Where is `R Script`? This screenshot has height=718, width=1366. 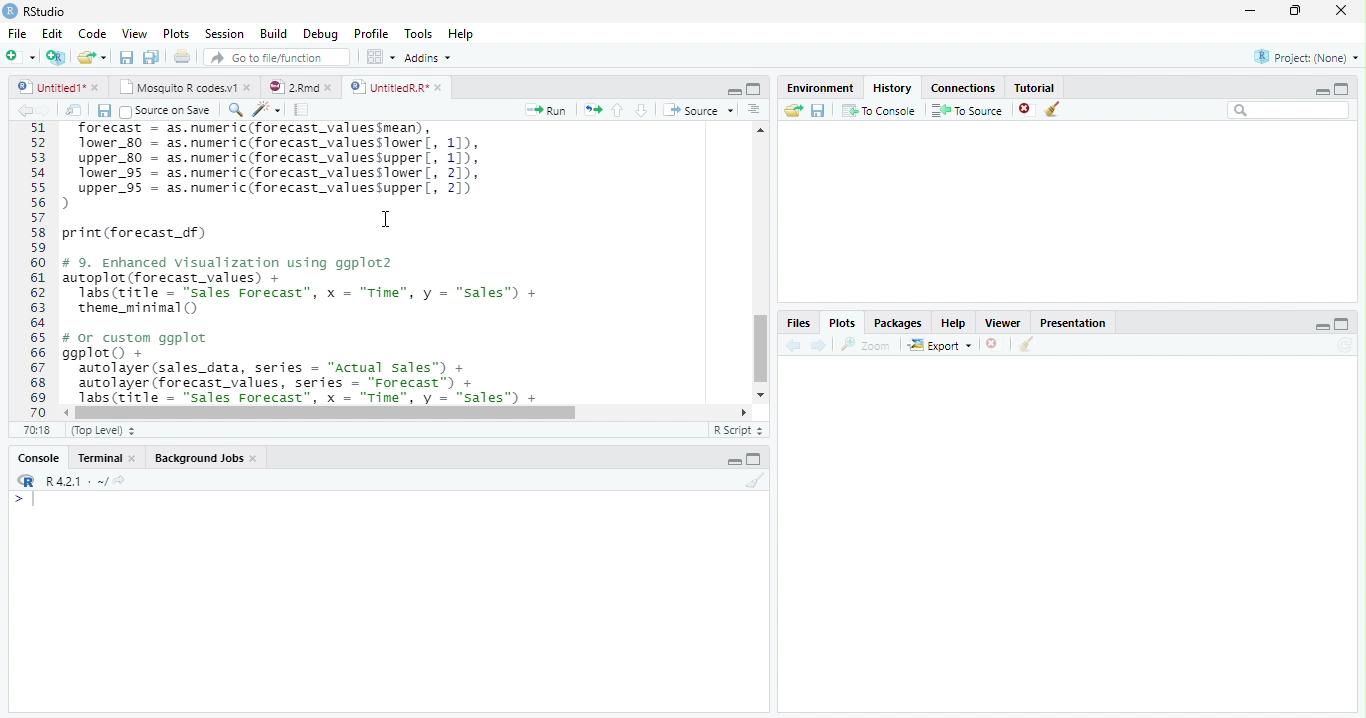 R Script is located at coordinates (737, 431).